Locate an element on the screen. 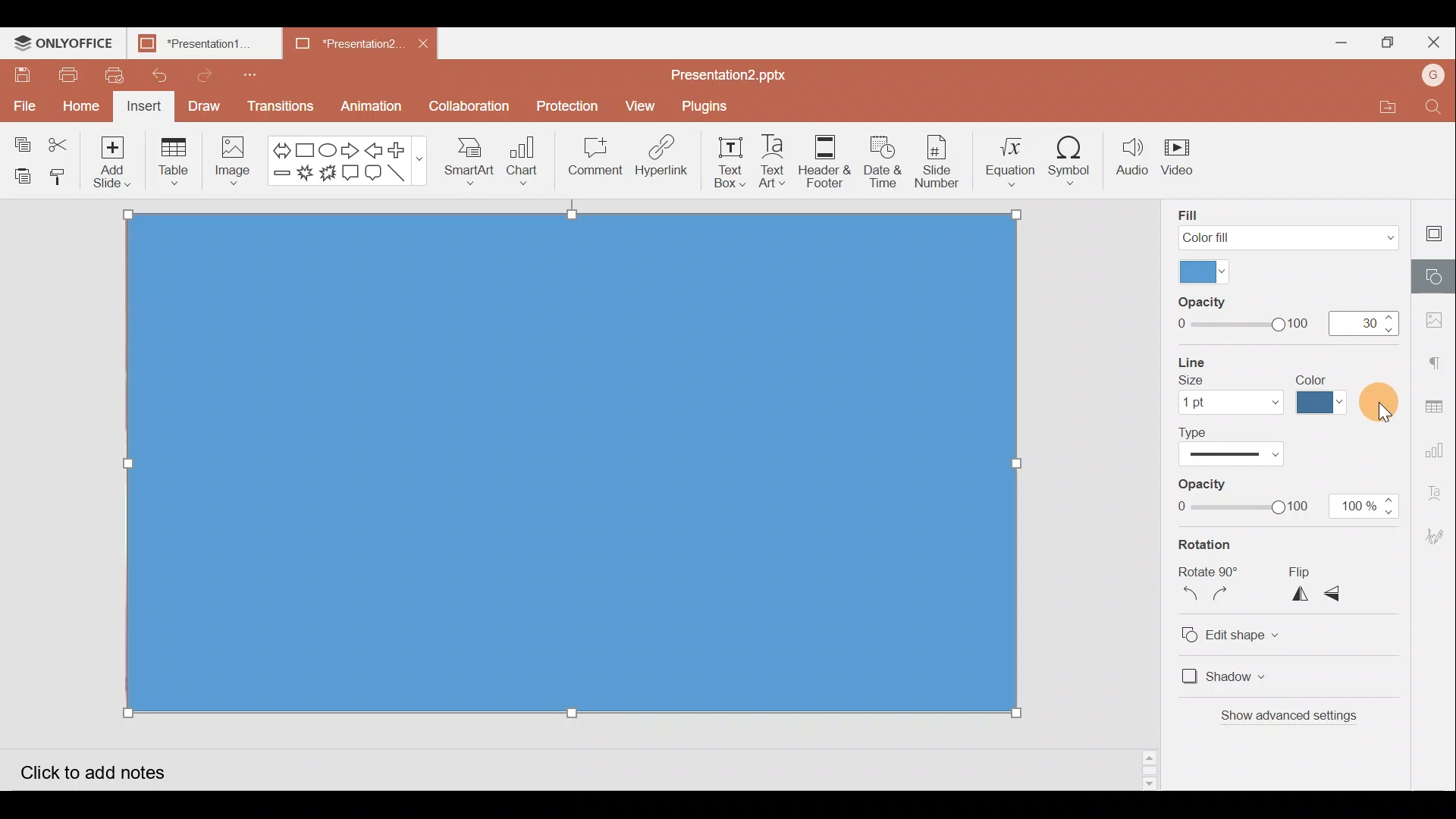 Image resolution: width=1456 pixels, height=819 pixels. Click to add notes is located at coordinates (104, 767).